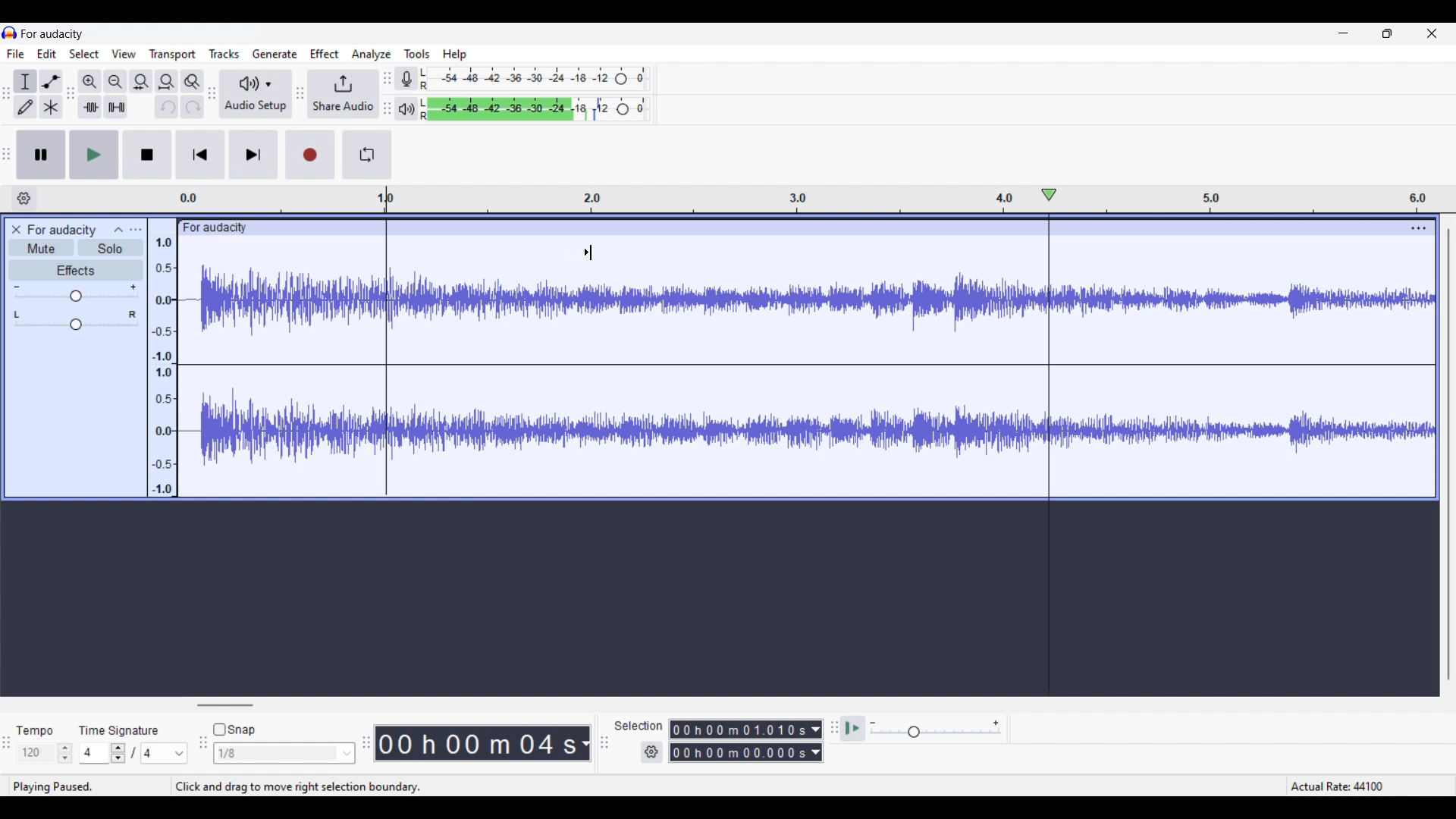  Describe the element at coordinates (405, 78) in the screenshot. I see `Record meter` at that location.